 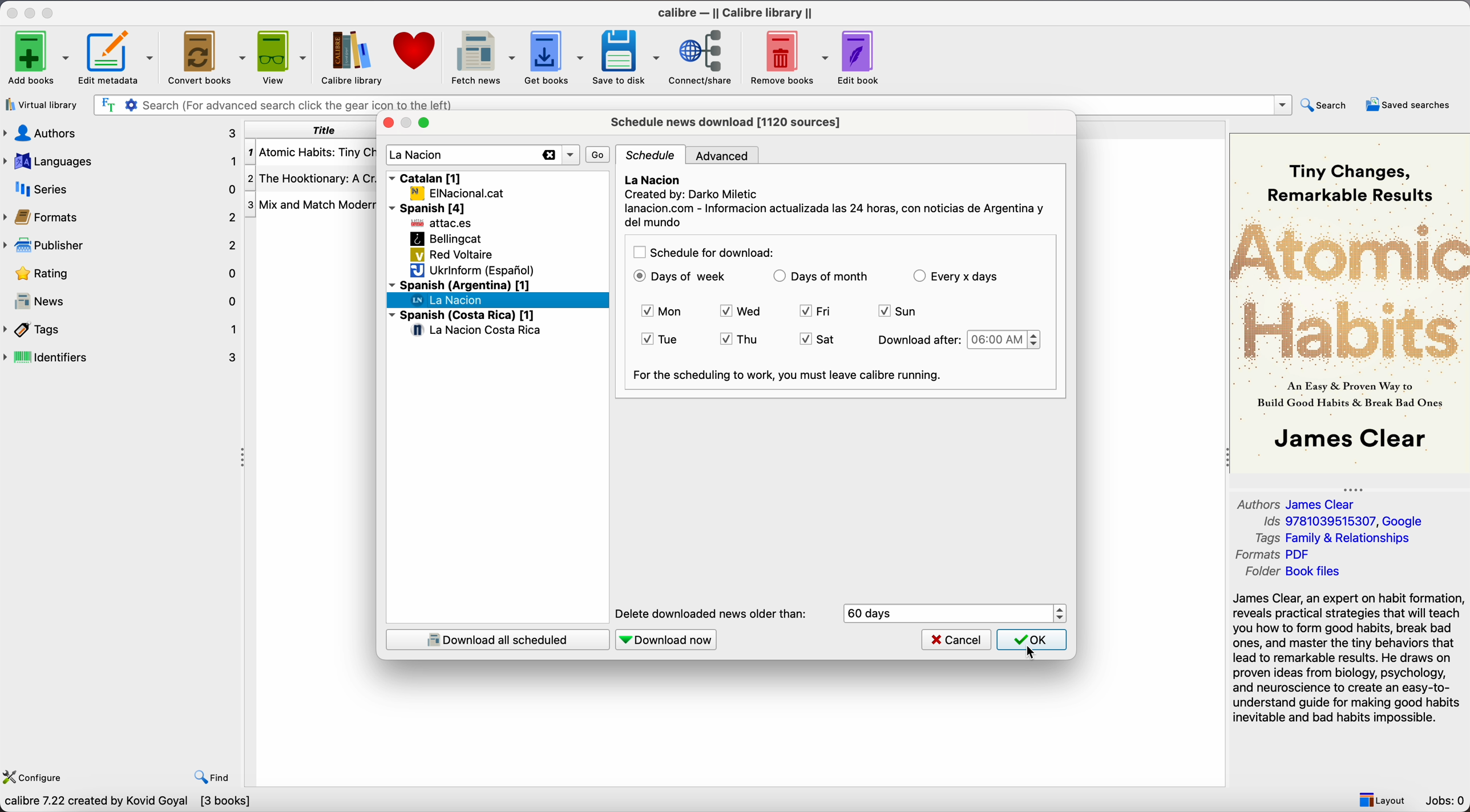 I want to click on clear, so click(x=547, y=156).